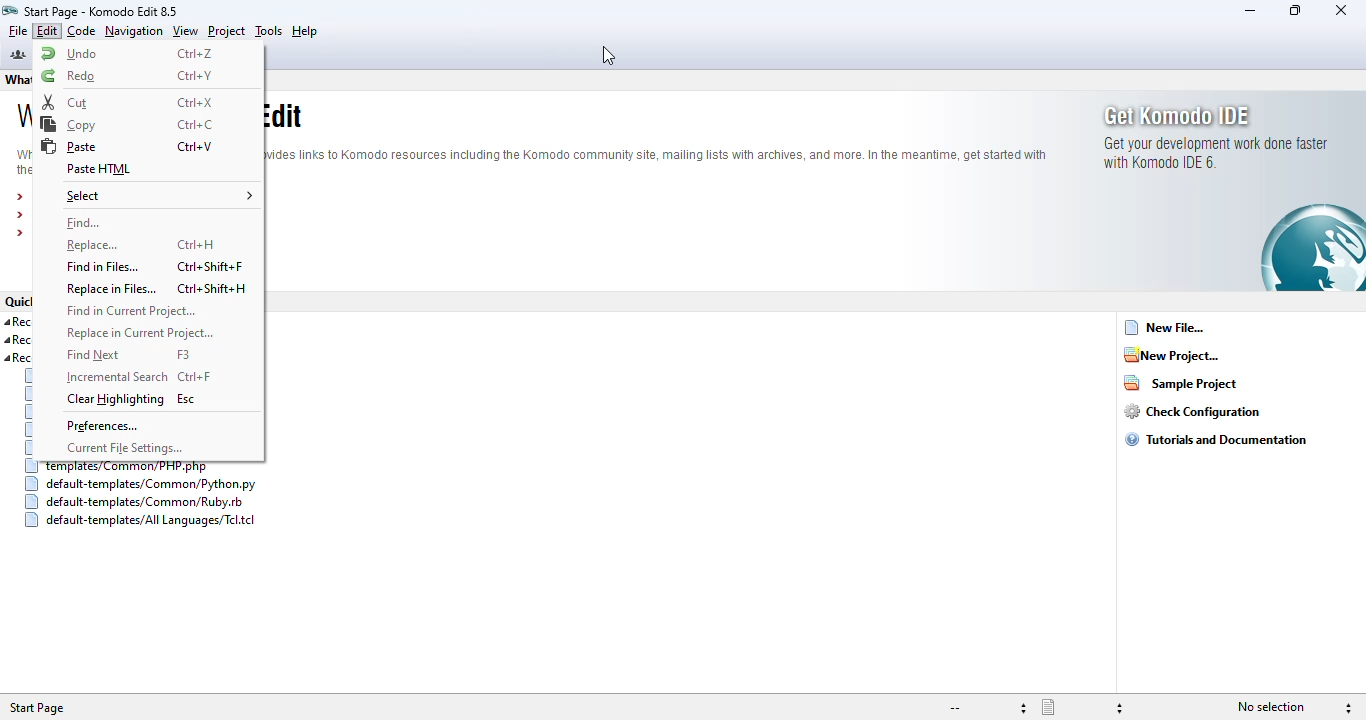 Image resolution: width=1366 pixels, height=720 pixels. What do you see at coordinates (1340, 10) in the screenshot?
I see `close` at bounding box center [1340, 10].